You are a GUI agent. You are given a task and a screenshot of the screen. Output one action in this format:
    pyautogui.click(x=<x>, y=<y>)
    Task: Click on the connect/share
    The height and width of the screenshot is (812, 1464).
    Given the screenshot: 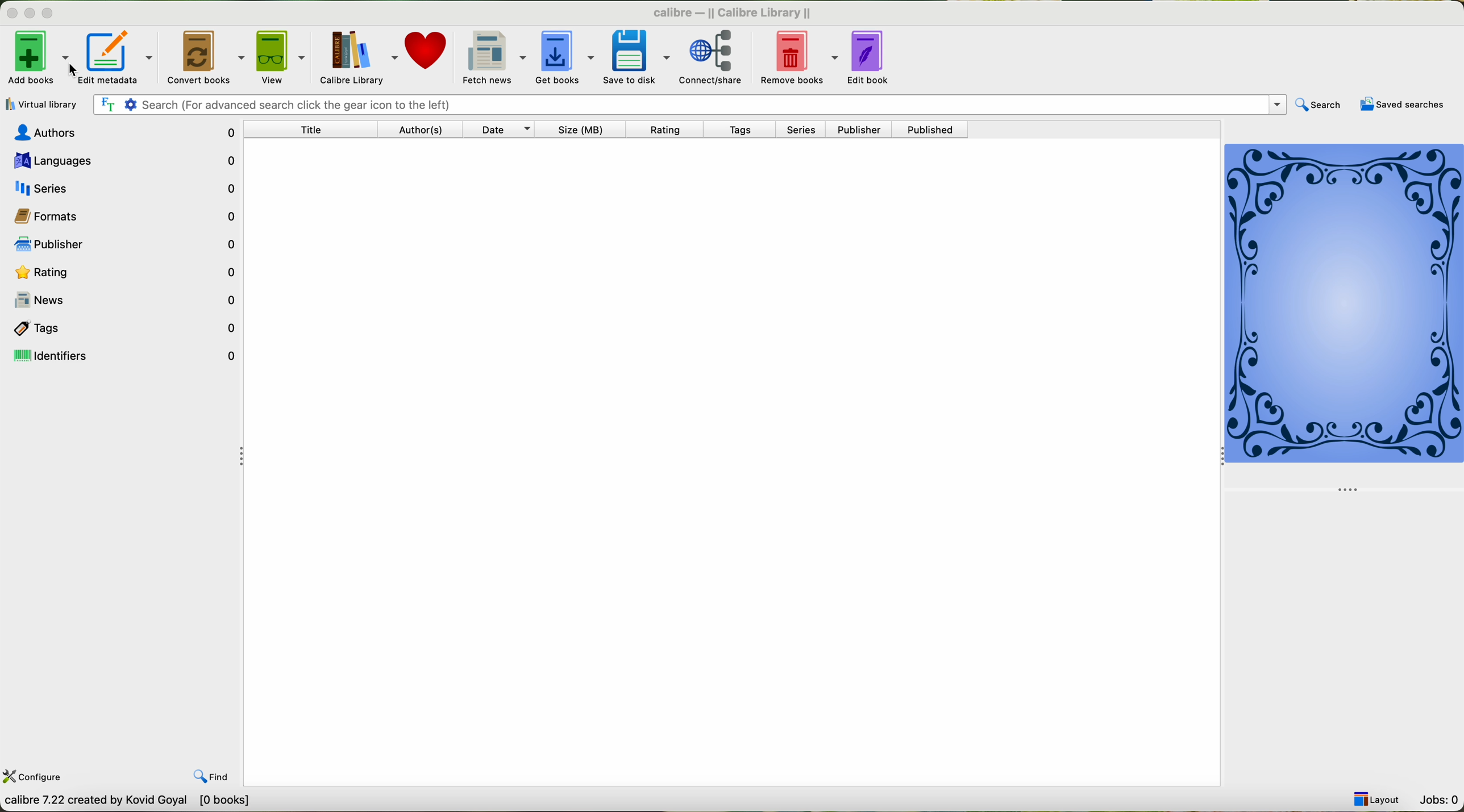 What is the action you would take?
    pyautogui.click(x=716, y=59)
    